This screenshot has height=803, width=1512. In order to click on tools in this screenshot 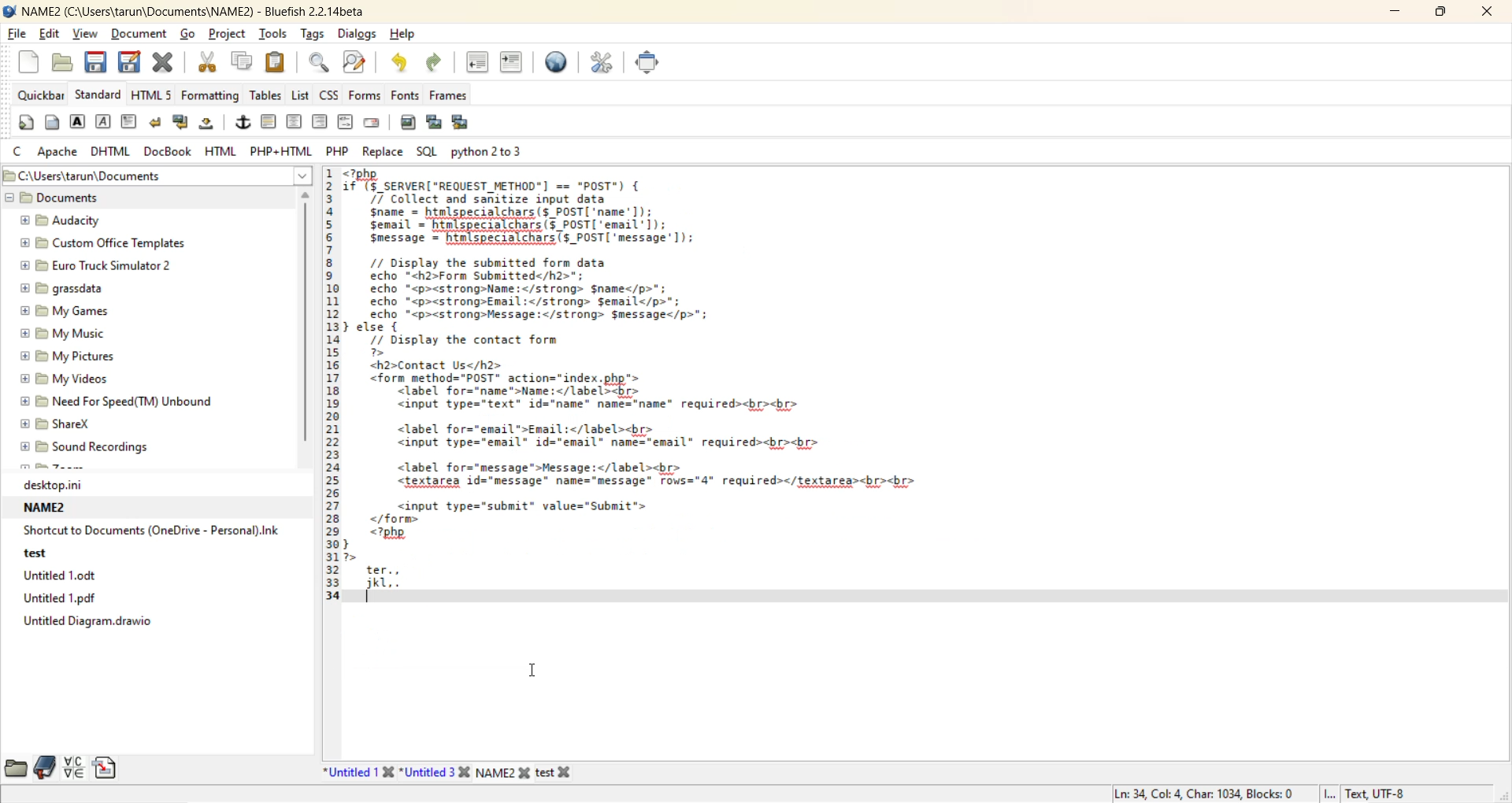, I will do `click(274, 34)`.